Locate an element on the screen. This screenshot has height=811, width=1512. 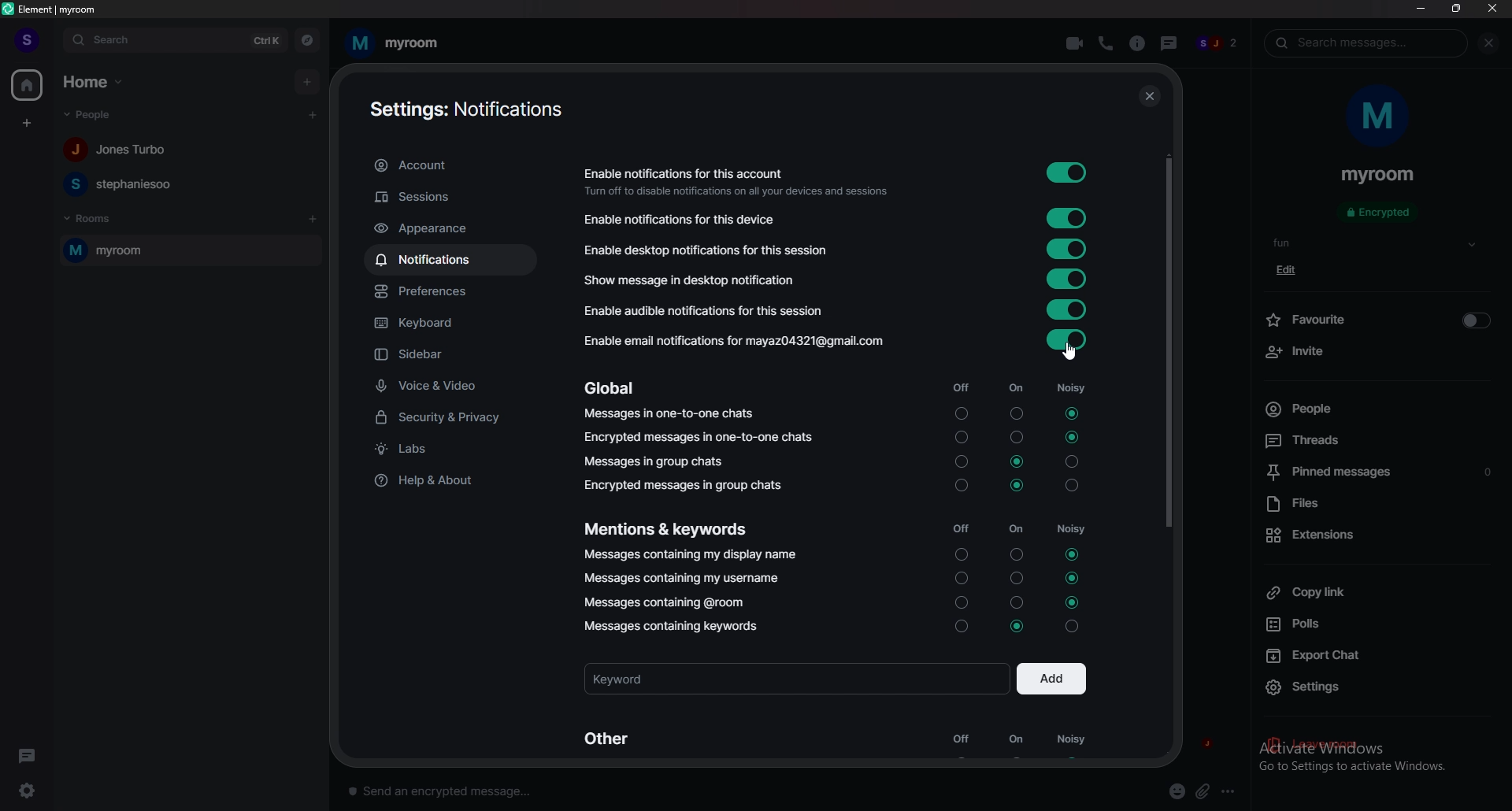
help and about is located at coordinates (445, 483).